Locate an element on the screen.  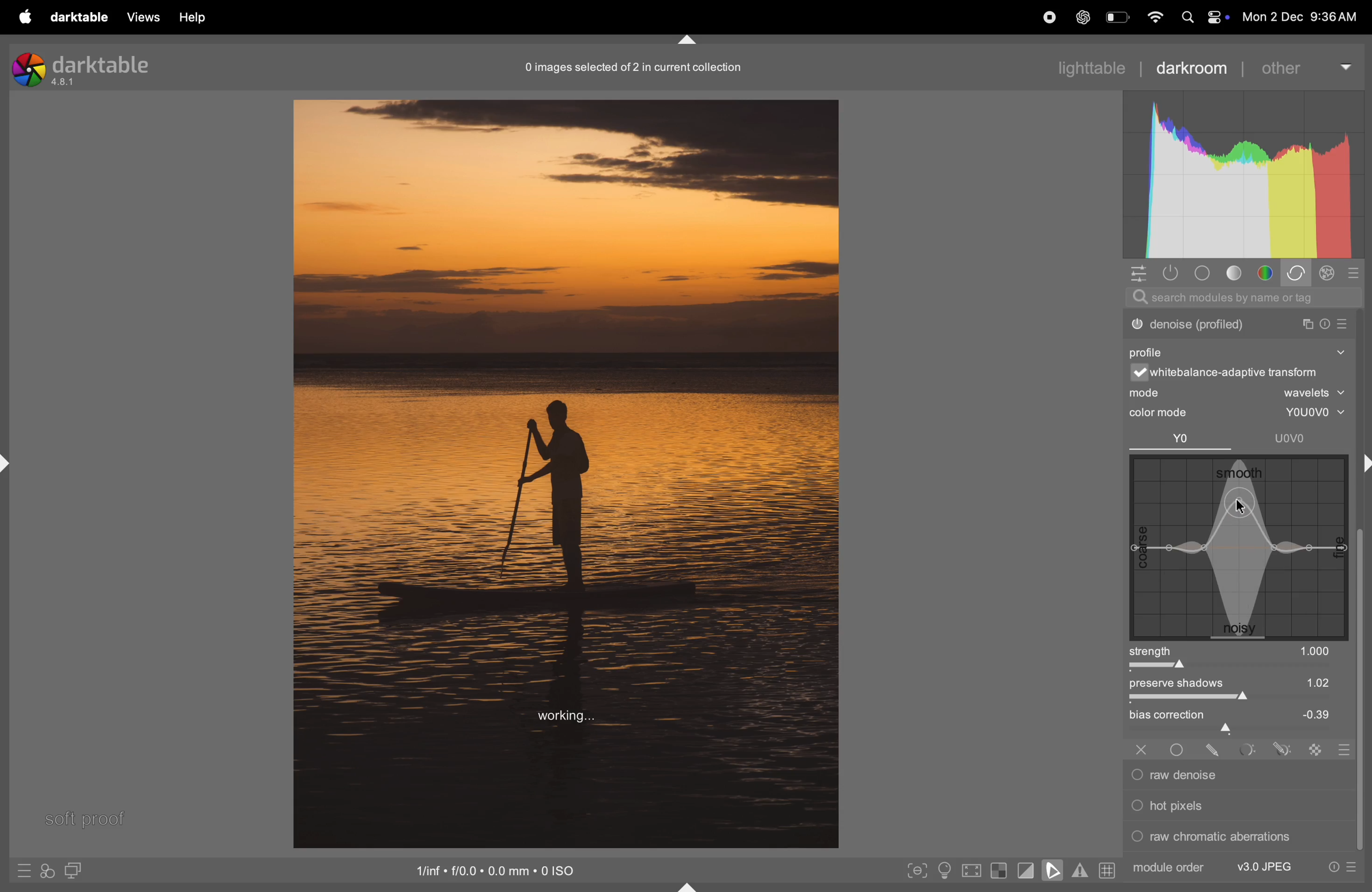
quick acess to ypur styles is located at coordinates (47, 872).